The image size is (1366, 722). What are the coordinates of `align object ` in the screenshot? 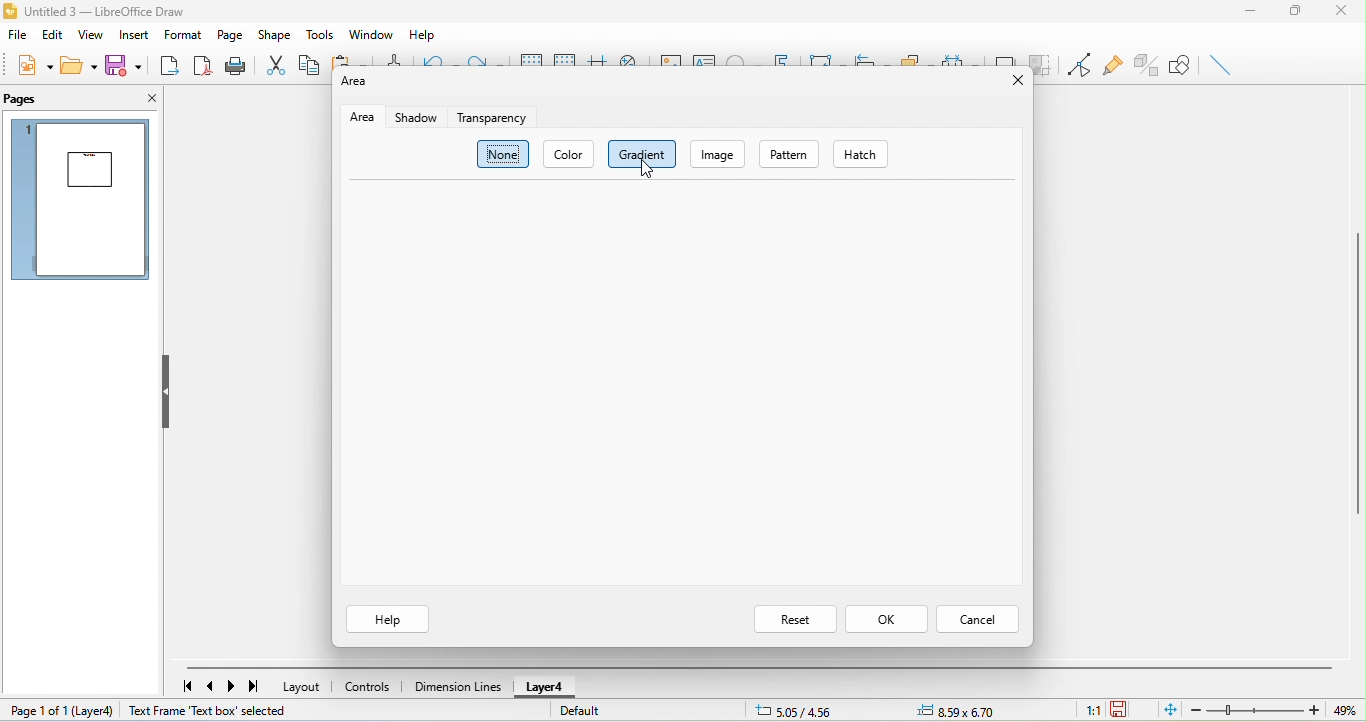 It's located at (868, 57).